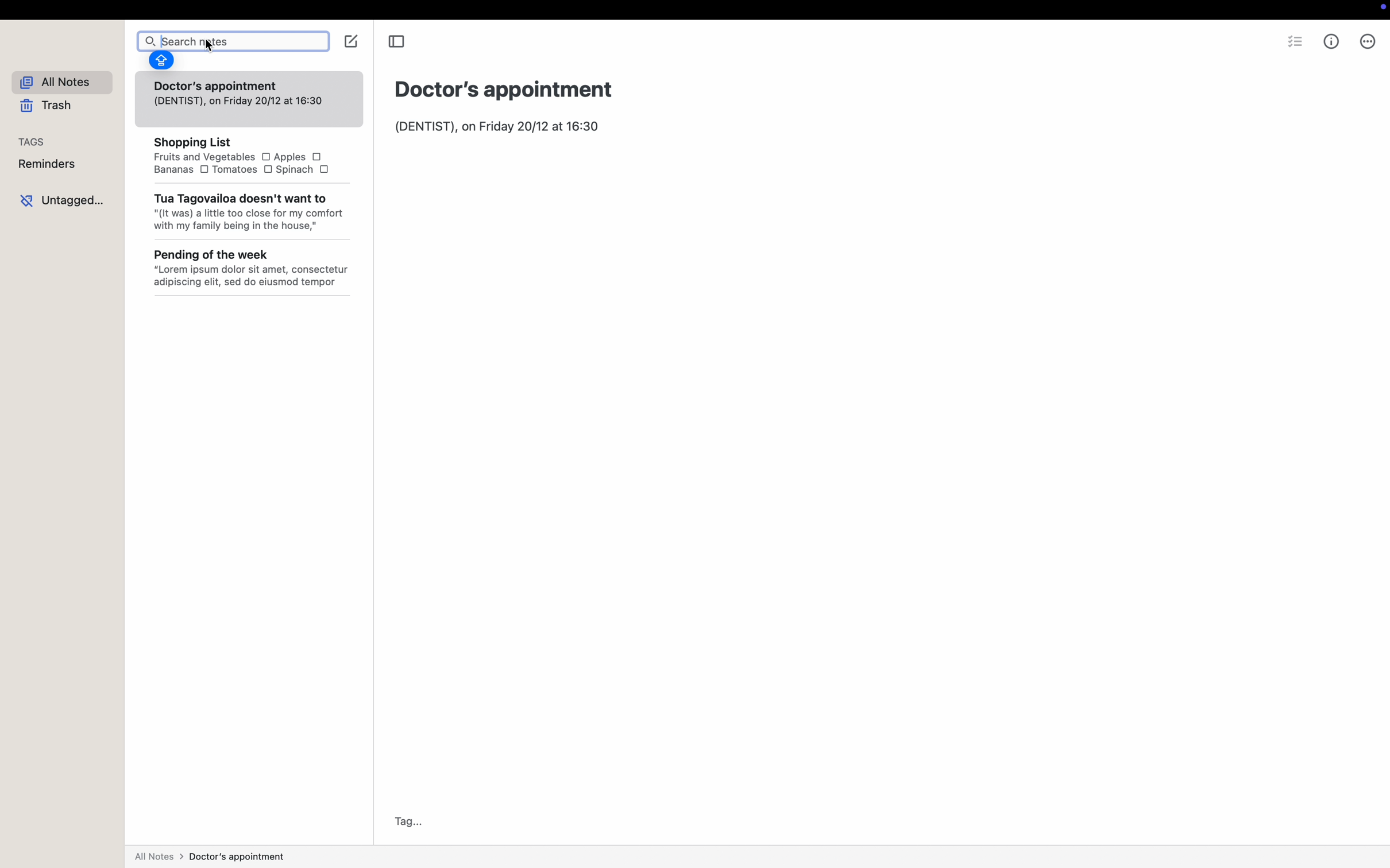 The width and height of the screenshot is (1390, 868). What do you see at coordinates (240, 94) in the screenshot?
I see `Doctor's appointment
(DENTIST), on Friday 20/12 at 16:30` at bounding box center [240, 94].